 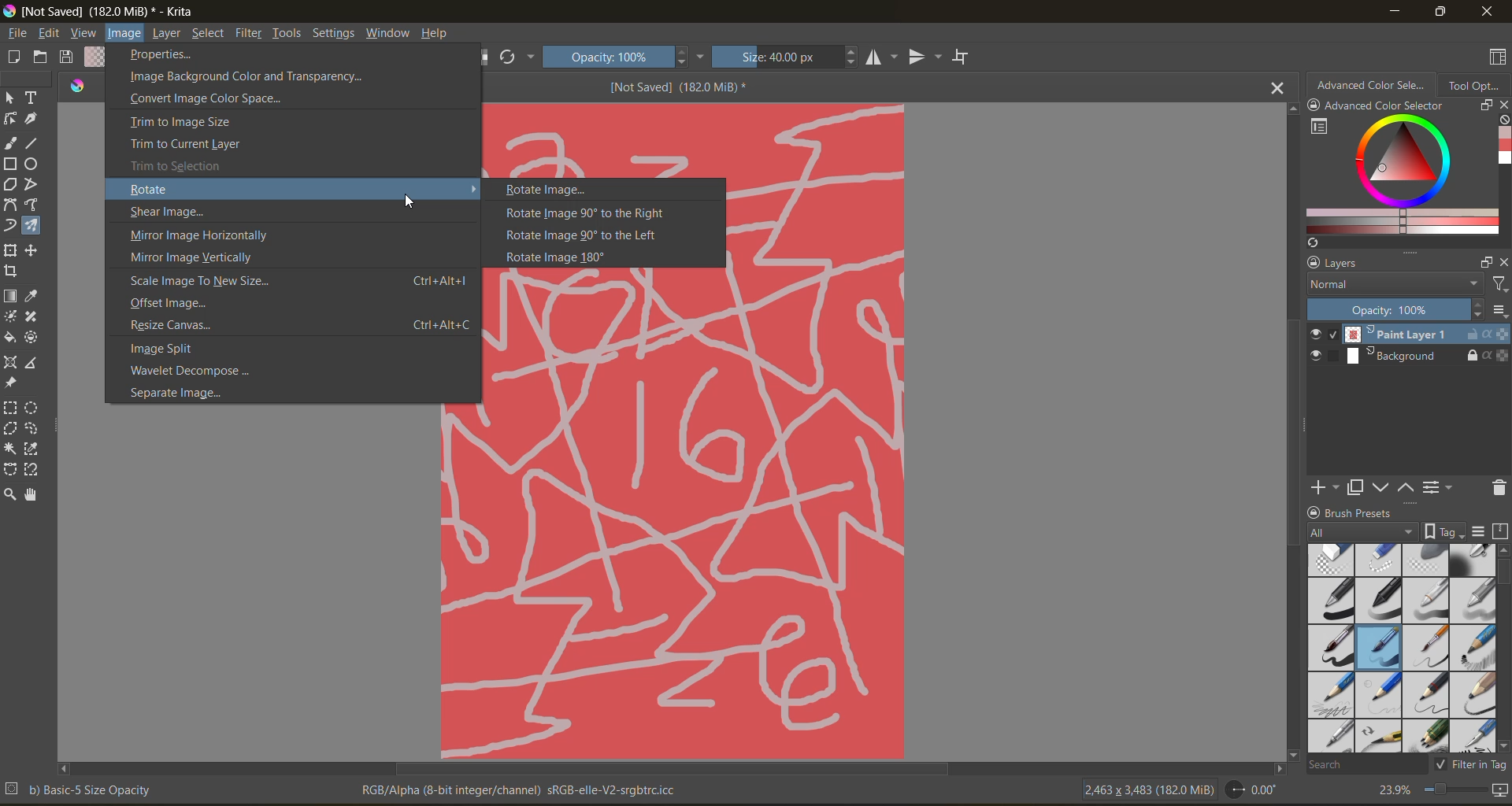 What do you see at coordinates (209, 34) in the screenshot?
I see `select` at bounding box center [209, 34].